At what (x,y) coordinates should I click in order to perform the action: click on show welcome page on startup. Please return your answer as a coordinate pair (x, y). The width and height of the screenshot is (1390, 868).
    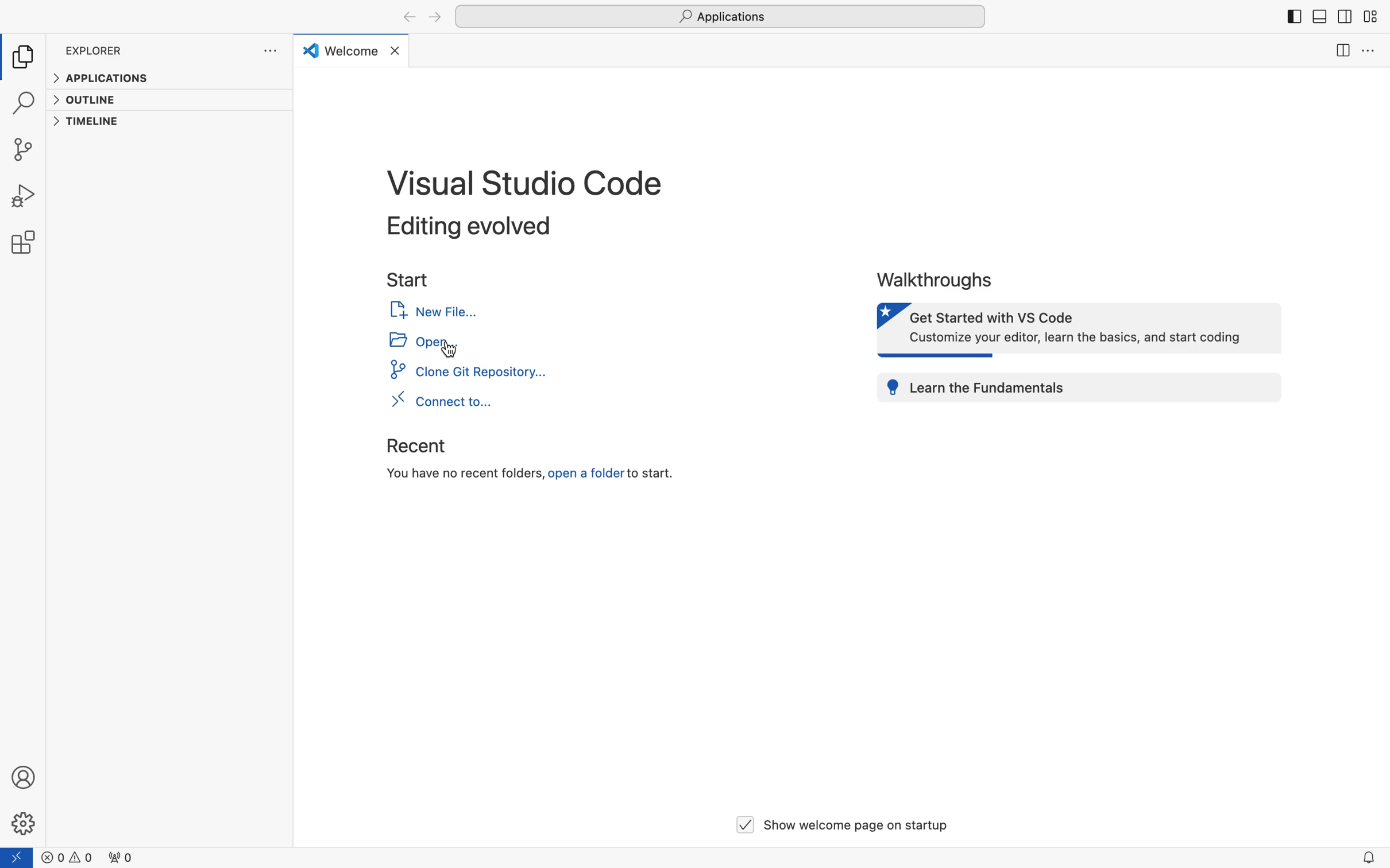
    Looking at the image, I should click on (841, 822).